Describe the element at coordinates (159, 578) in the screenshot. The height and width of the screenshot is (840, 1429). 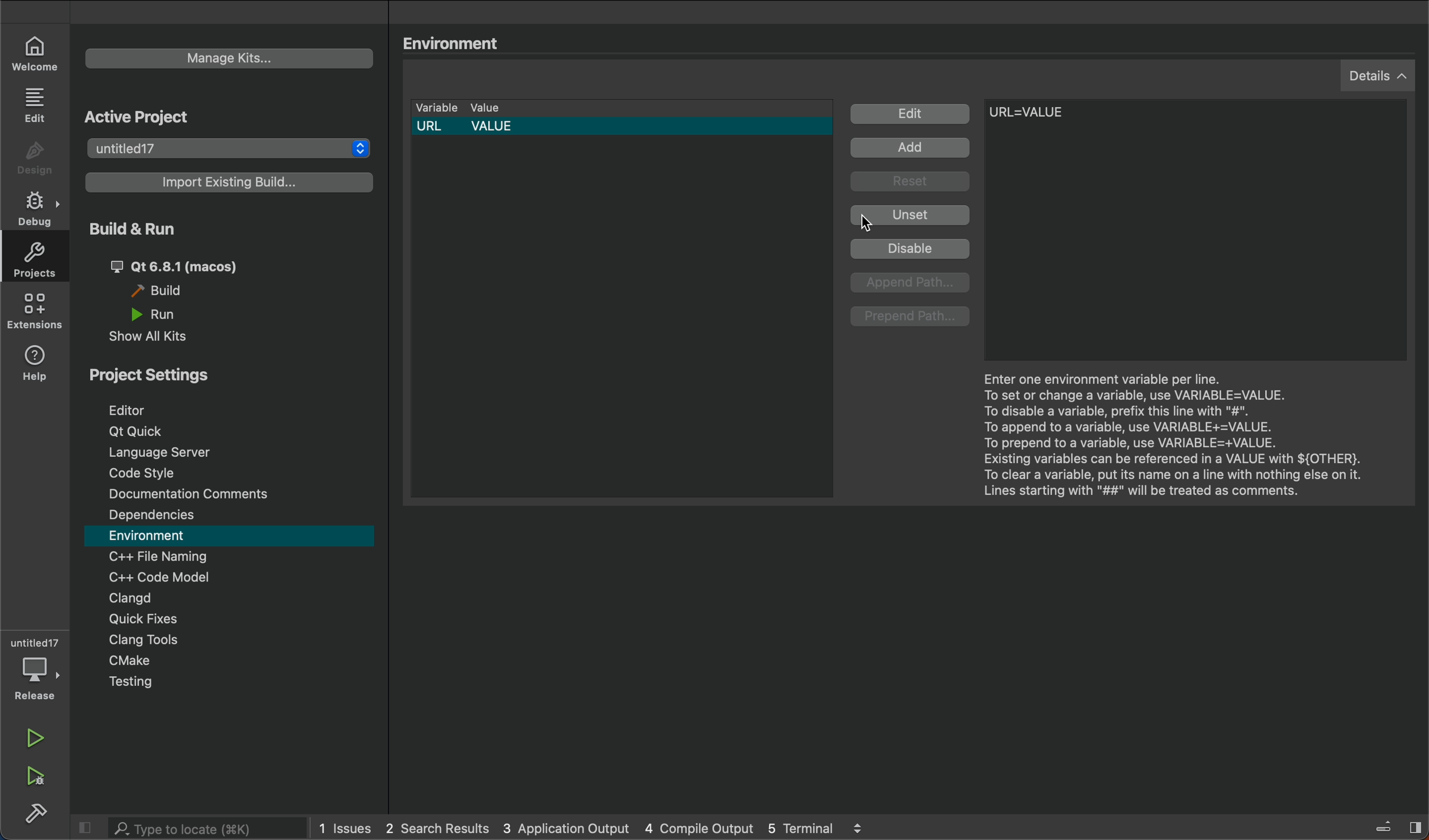
I see `code model` at that location.